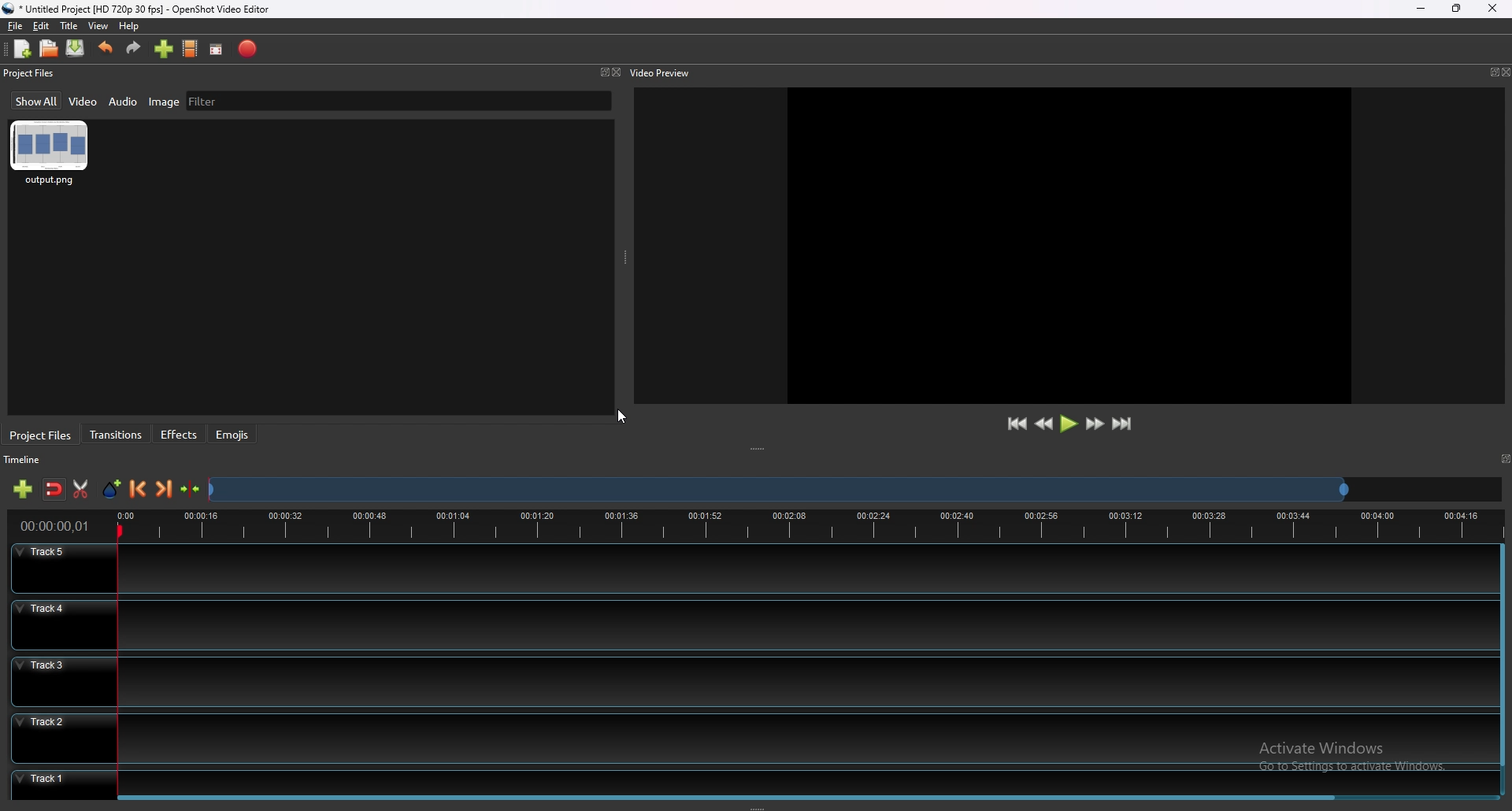  Describe the element at coordinates (1492, 7) in the screenshot. I see `close` at that location.